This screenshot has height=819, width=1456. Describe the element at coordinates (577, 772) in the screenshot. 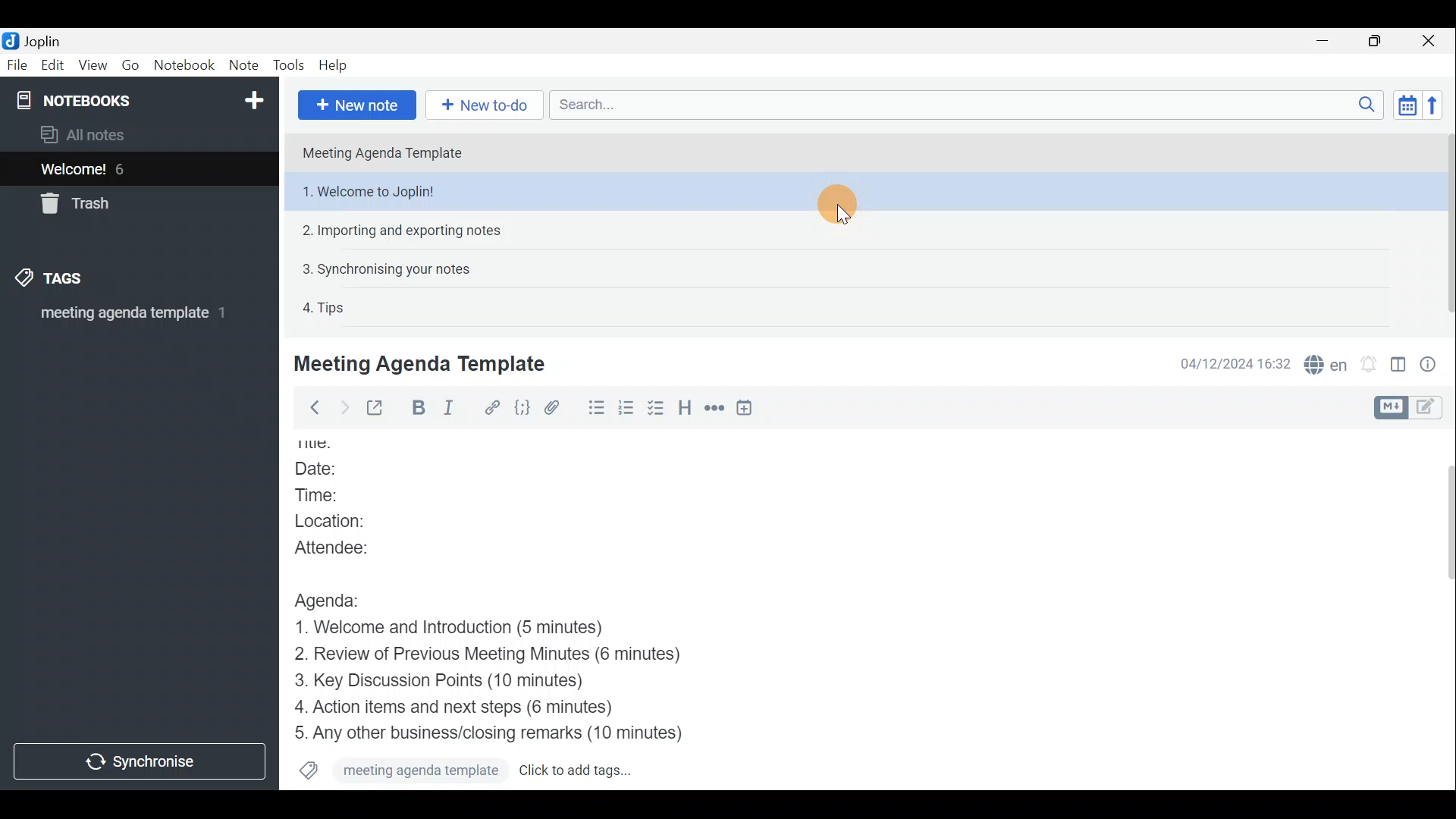

I see `Click to add tags` at that location.